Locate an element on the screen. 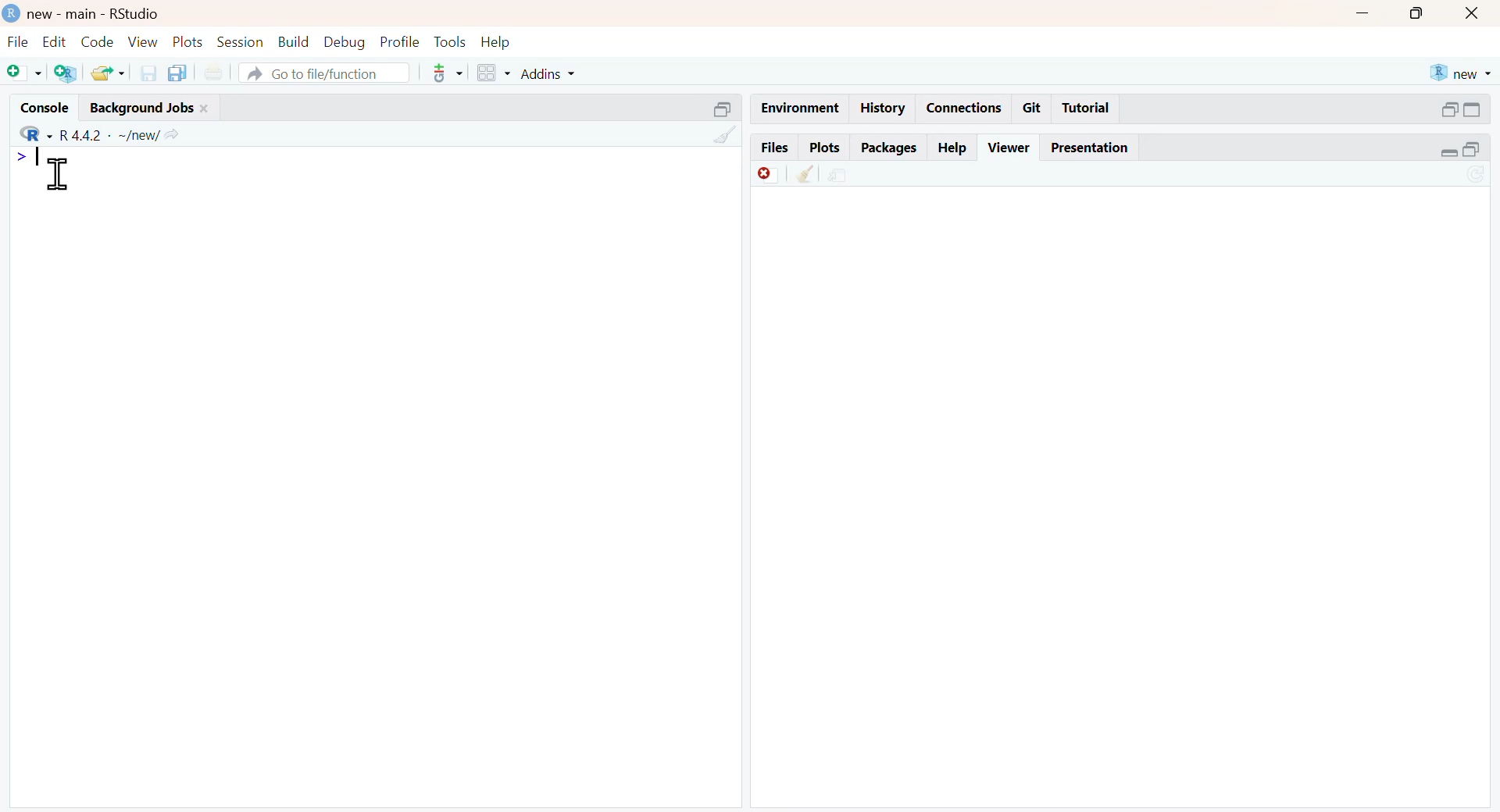  Tutorial is located at coordinates (1086, 107).